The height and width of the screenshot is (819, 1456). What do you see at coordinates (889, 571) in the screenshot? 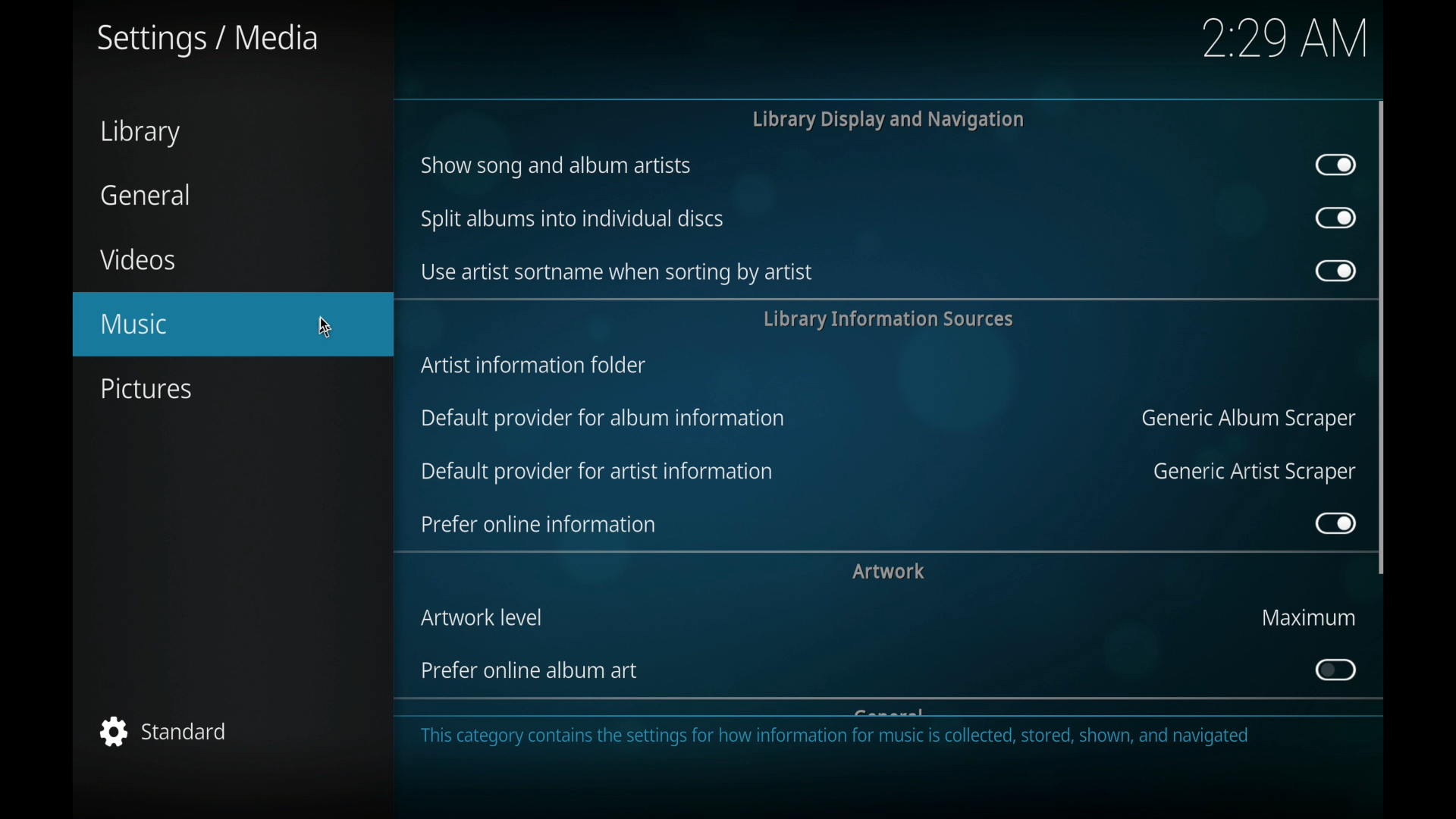
I see `artwork` at bounding box center [889, 571].